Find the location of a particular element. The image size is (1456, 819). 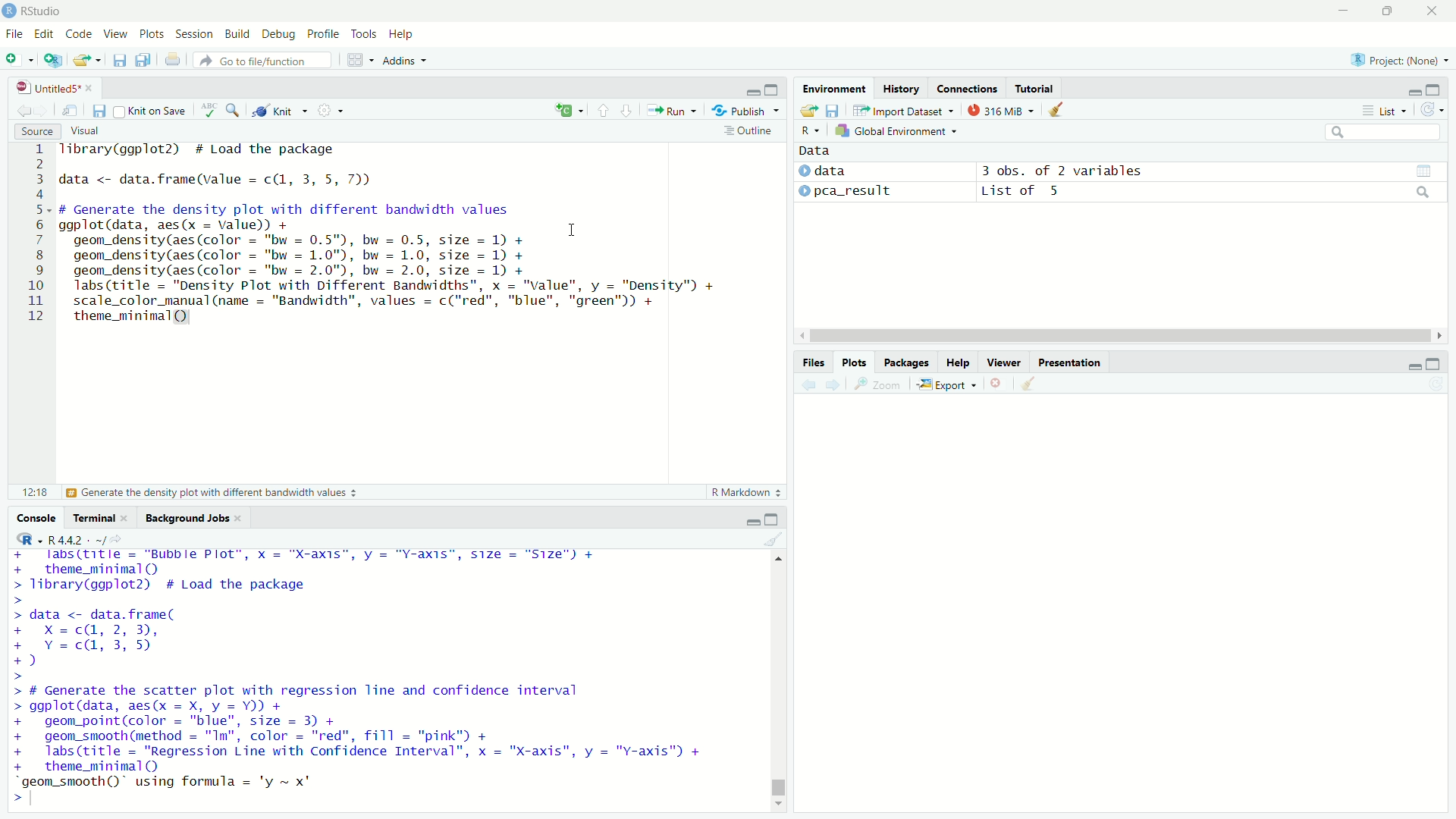

Open an existing file is located at coordinates (80, 60).